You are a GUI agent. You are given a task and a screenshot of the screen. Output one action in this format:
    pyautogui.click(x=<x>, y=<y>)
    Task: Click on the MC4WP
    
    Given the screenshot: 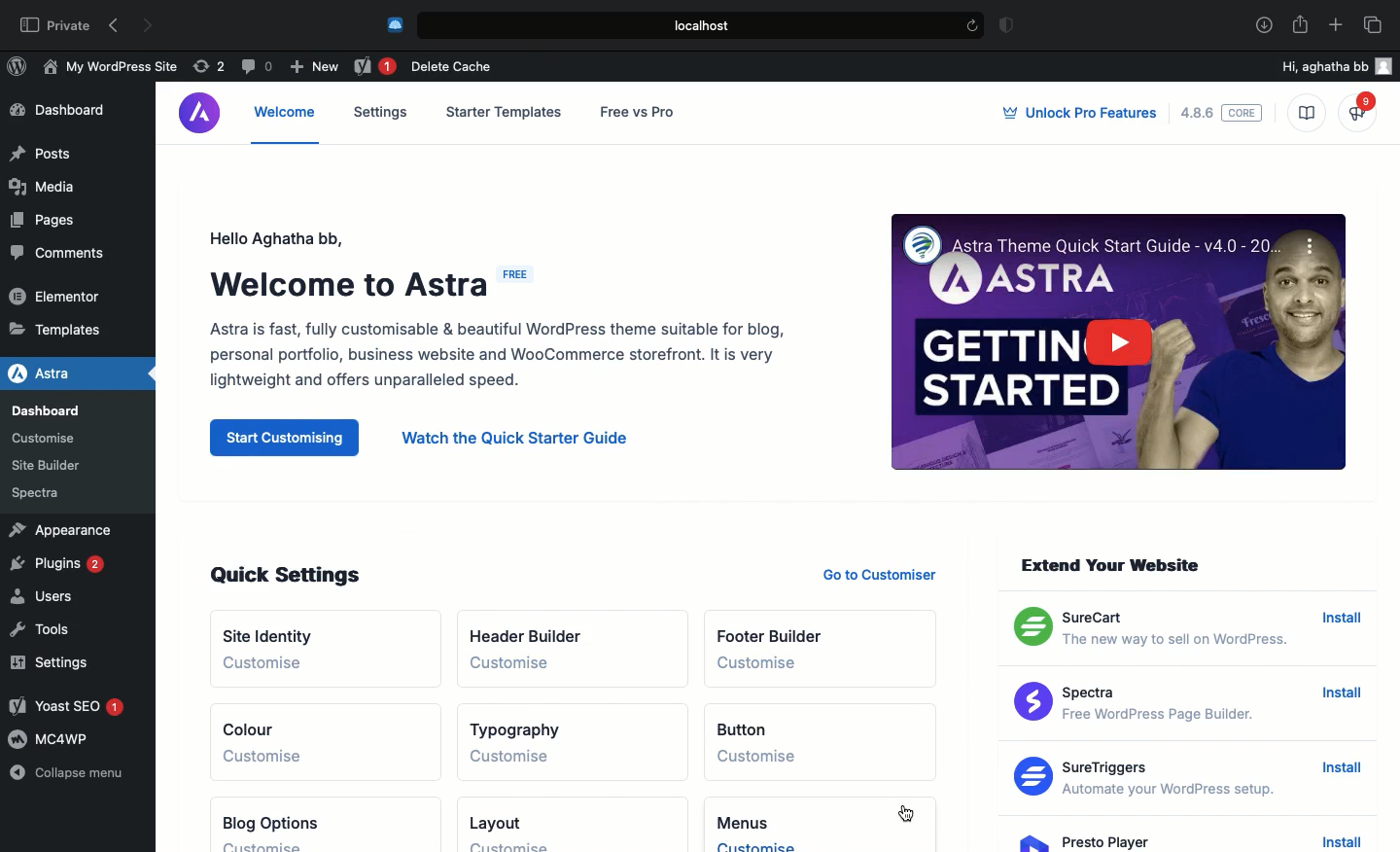 What is the action you would take?
    pyautogui.click(x=55, y=739)
    